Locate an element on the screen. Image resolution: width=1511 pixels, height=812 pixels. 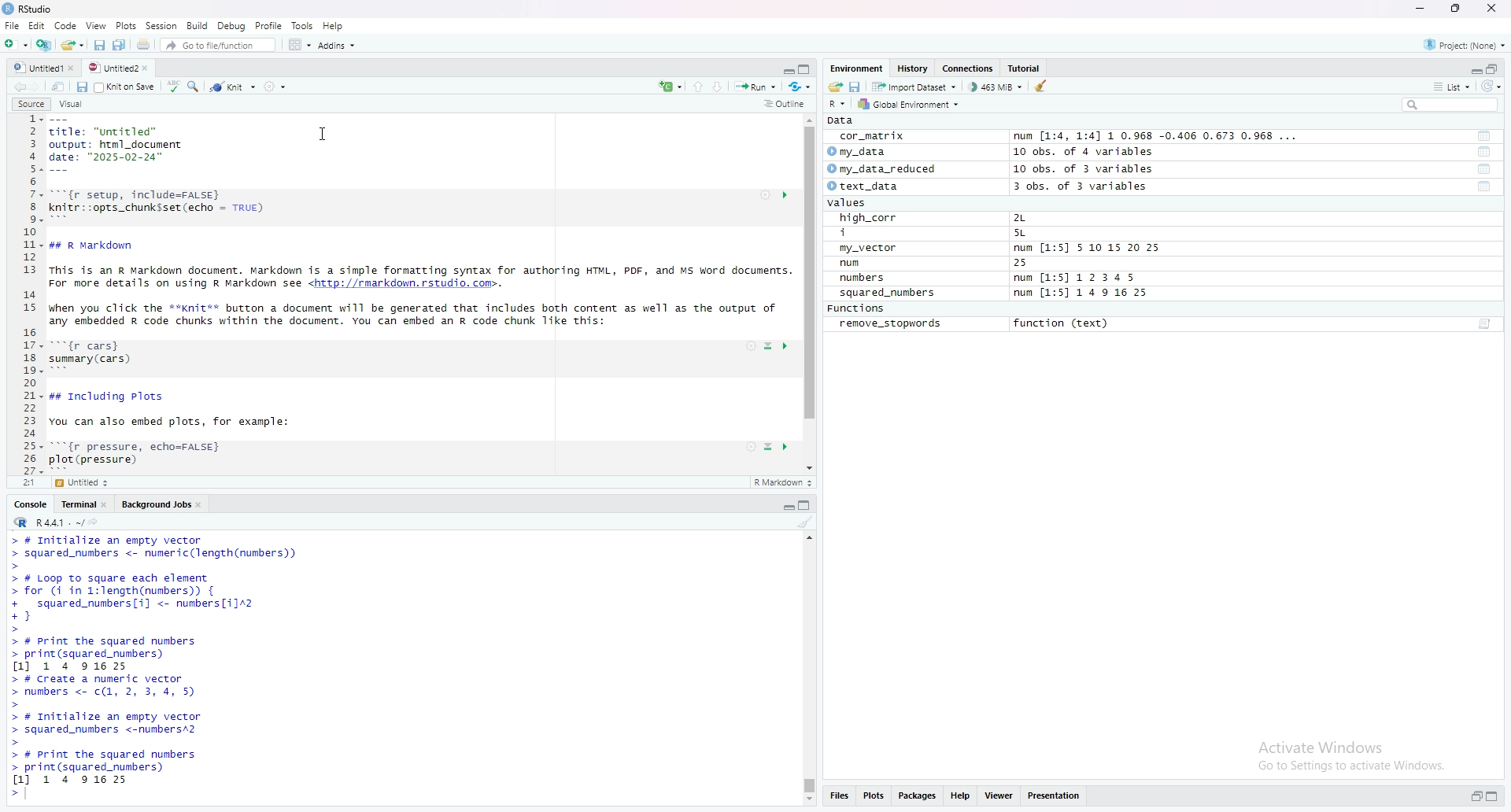
cleaner console is located at coordinates (804, 522).